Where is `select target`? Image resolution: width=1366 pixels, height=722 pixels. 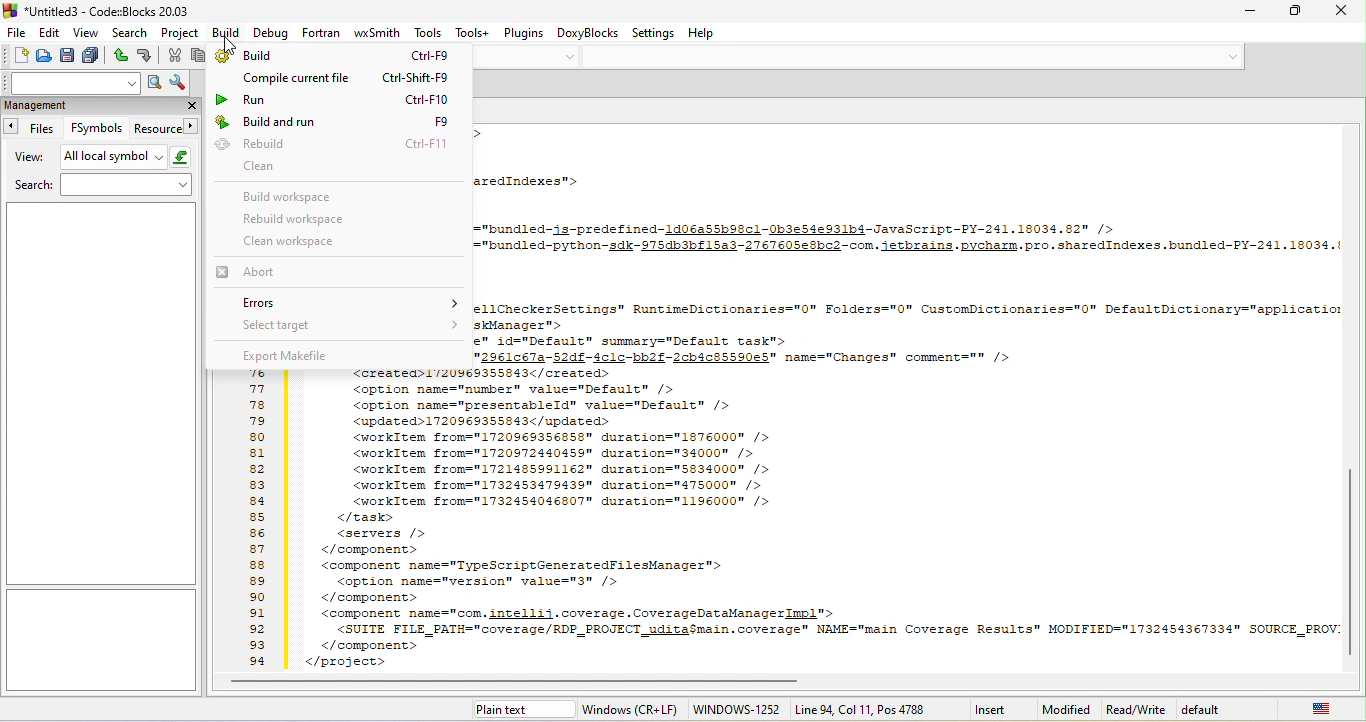 select target is located at coordinates (353, 325).